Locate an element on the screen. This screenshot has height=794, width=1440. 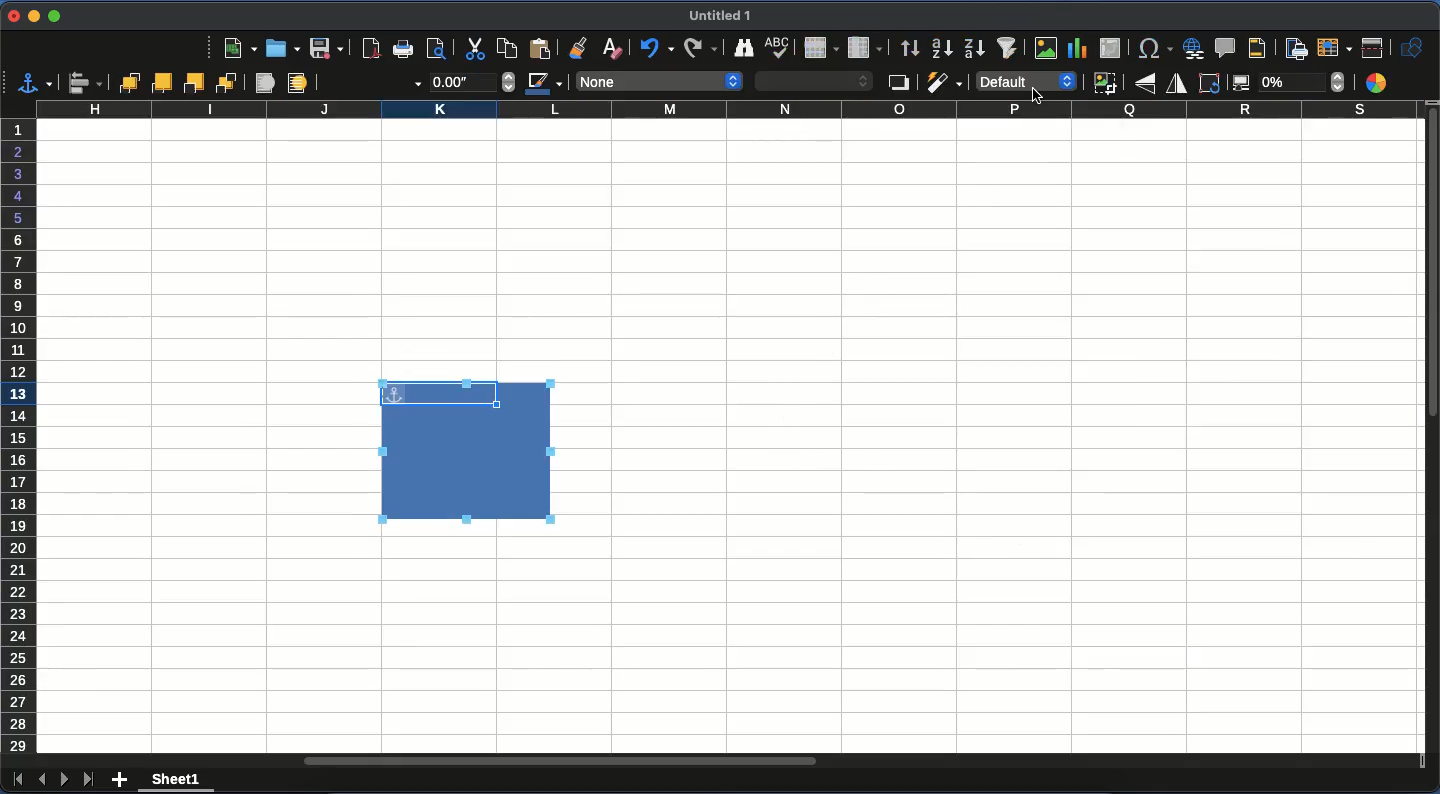
last sheet is located at coordinates (90, 780).